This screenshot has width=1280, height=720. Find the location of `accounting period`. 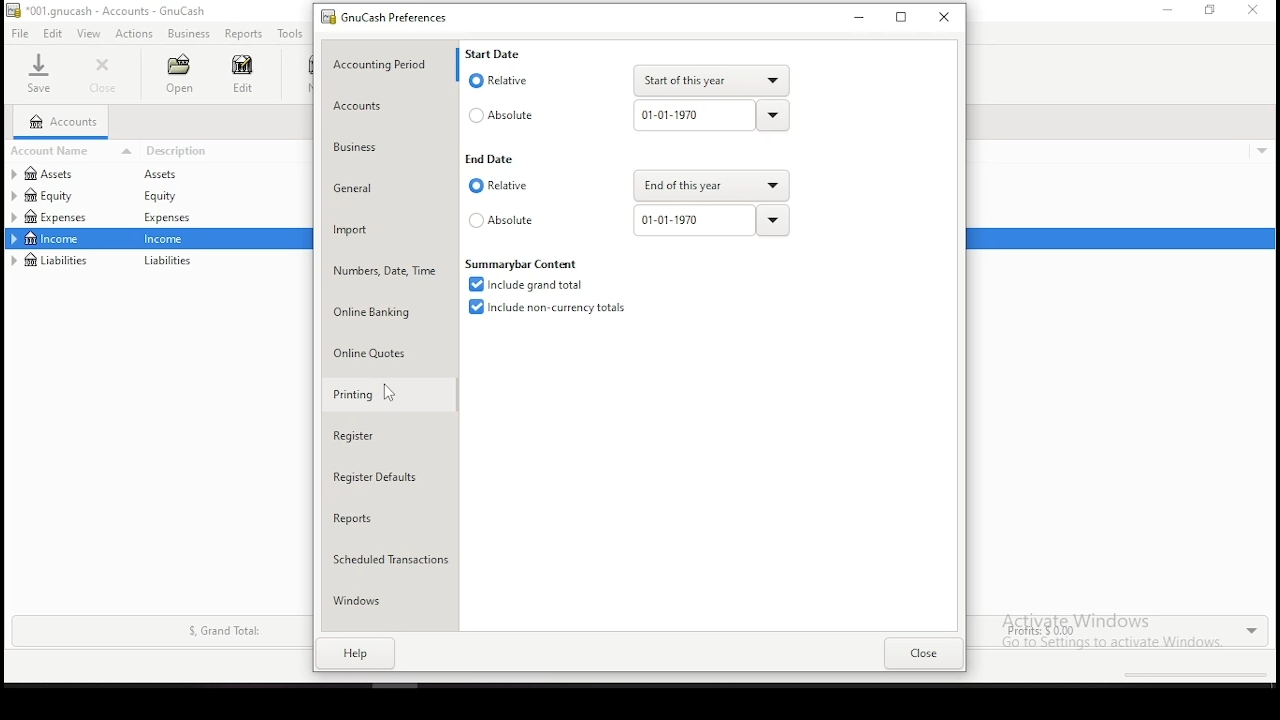

accounting period is located at coordinates (385, 63).